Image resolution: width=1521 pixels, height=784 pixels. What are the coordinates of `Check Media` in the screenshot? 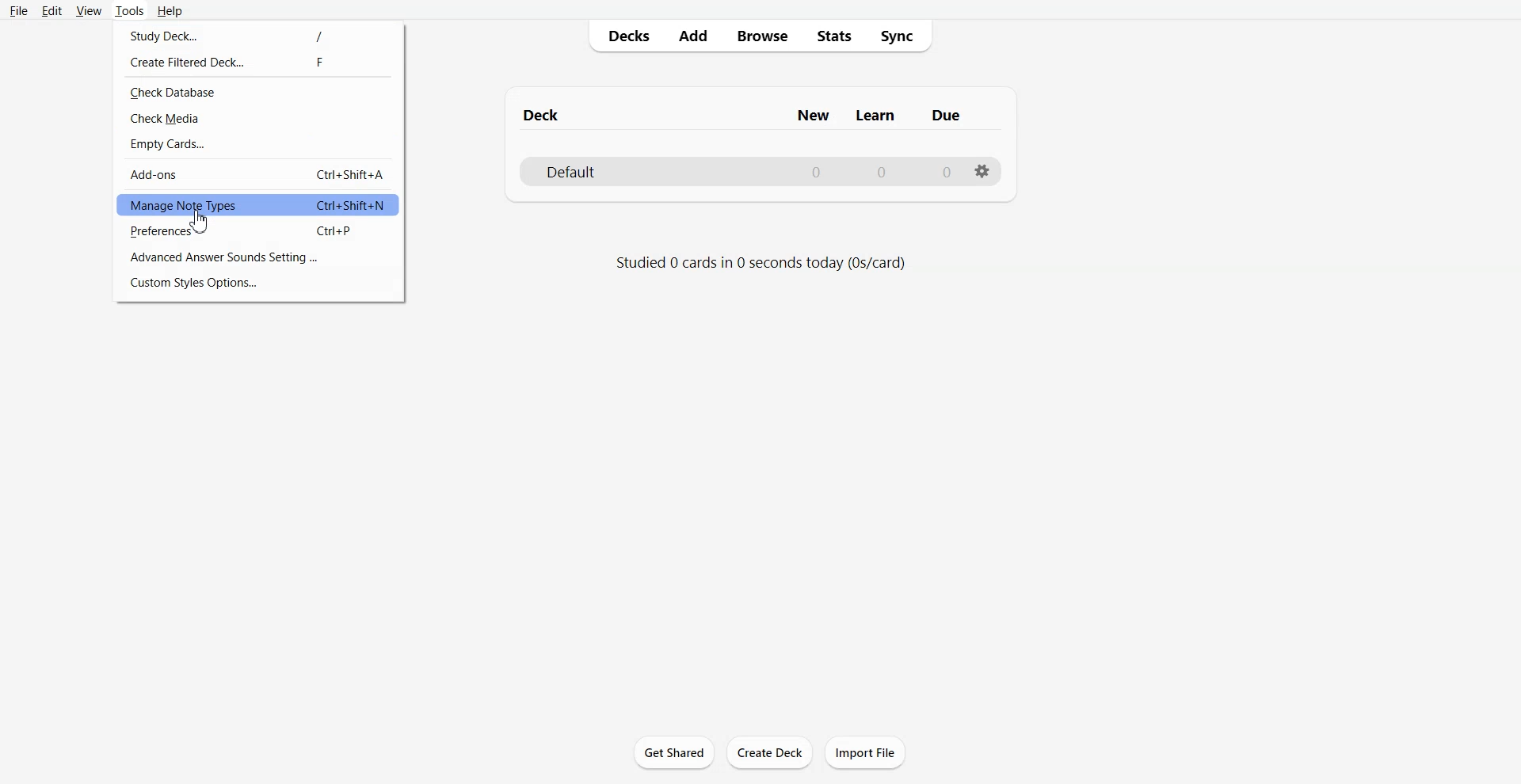 It's located at (257, 119).